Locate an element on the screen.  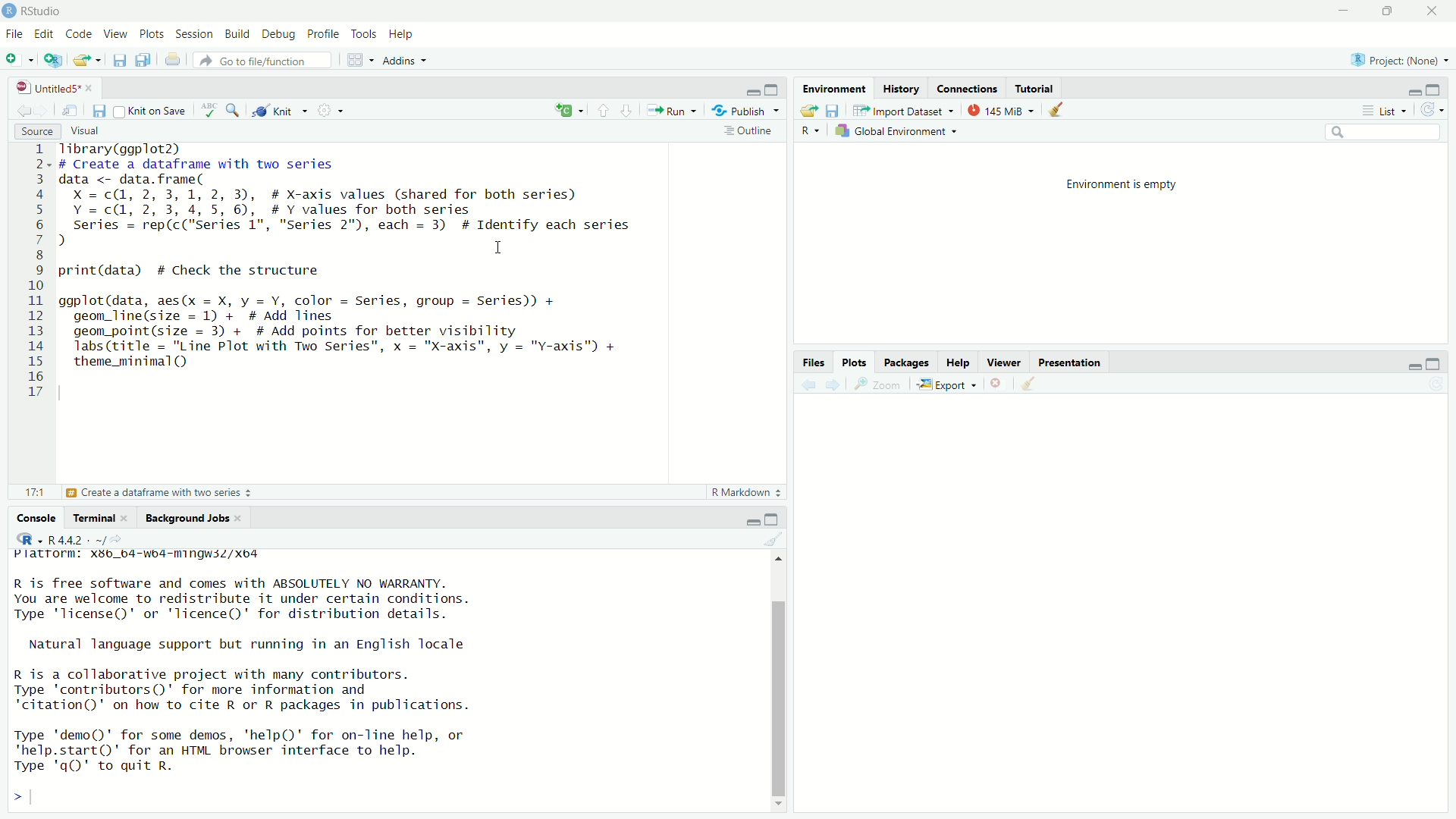
List View is located at coordinates (1382, 111).